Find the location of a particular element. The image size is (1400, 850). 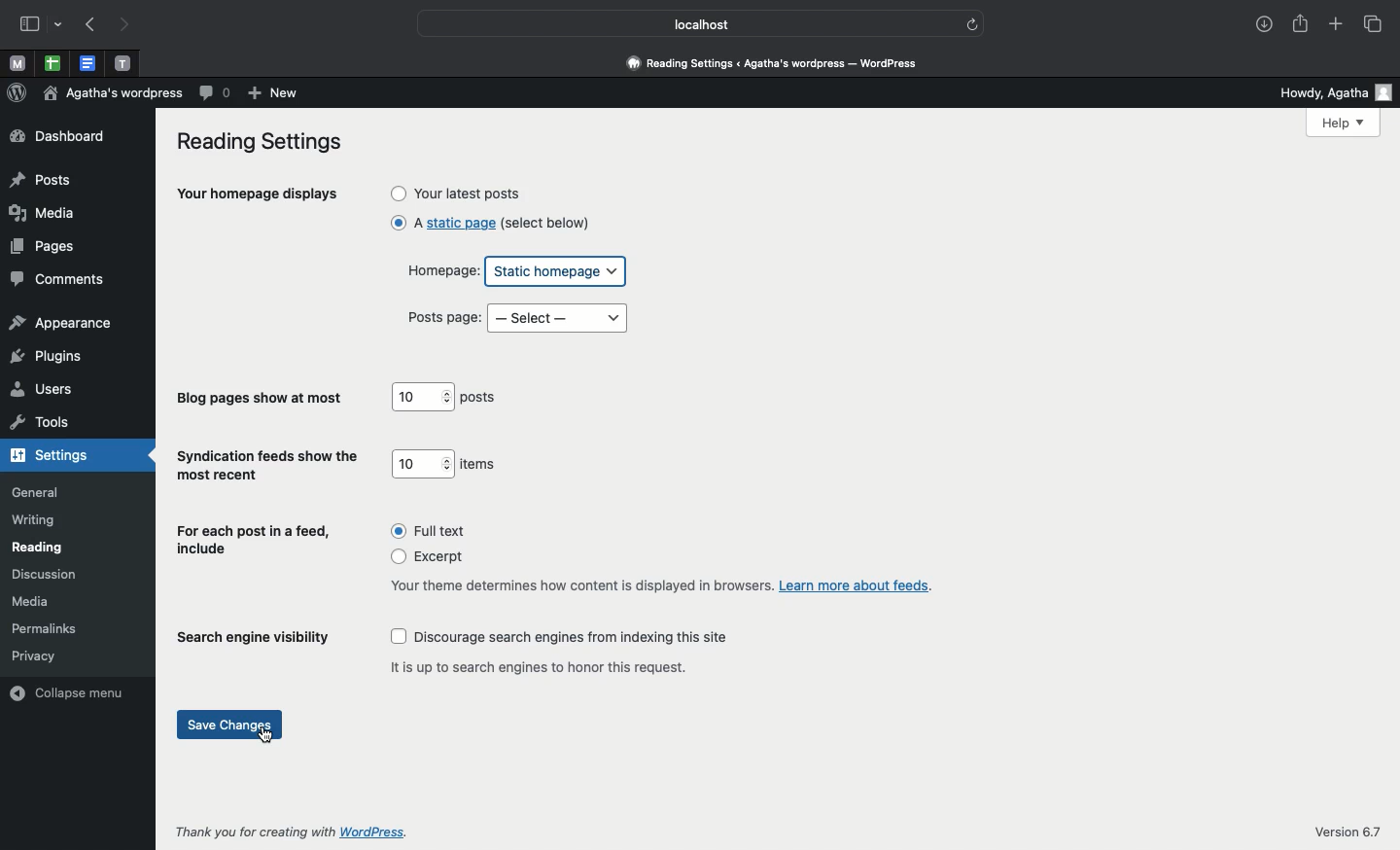

Full text is located at coordinates (436, 530).